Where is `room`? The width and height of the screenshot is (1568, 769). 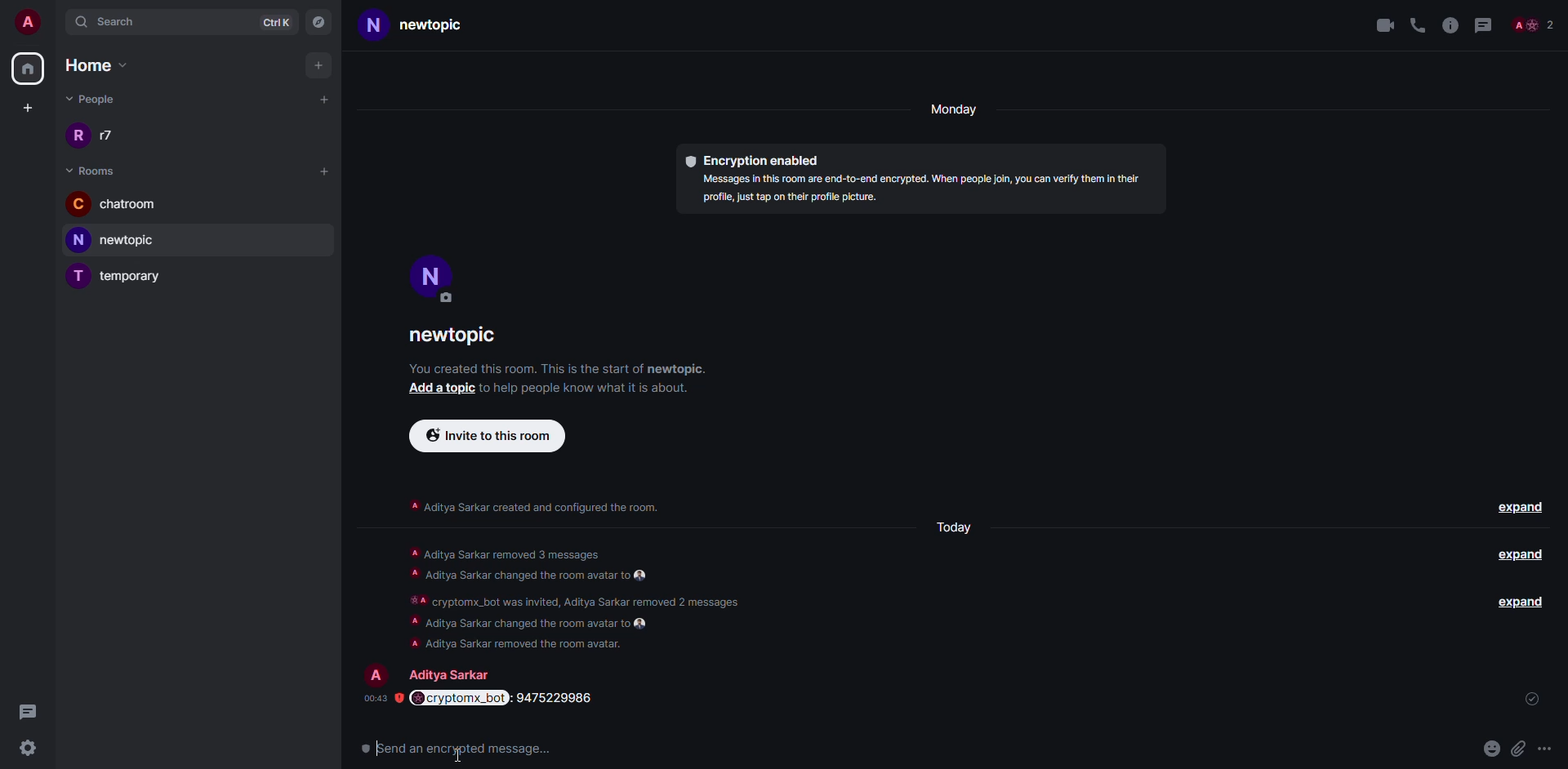 room is located at coordinates (95, 171).